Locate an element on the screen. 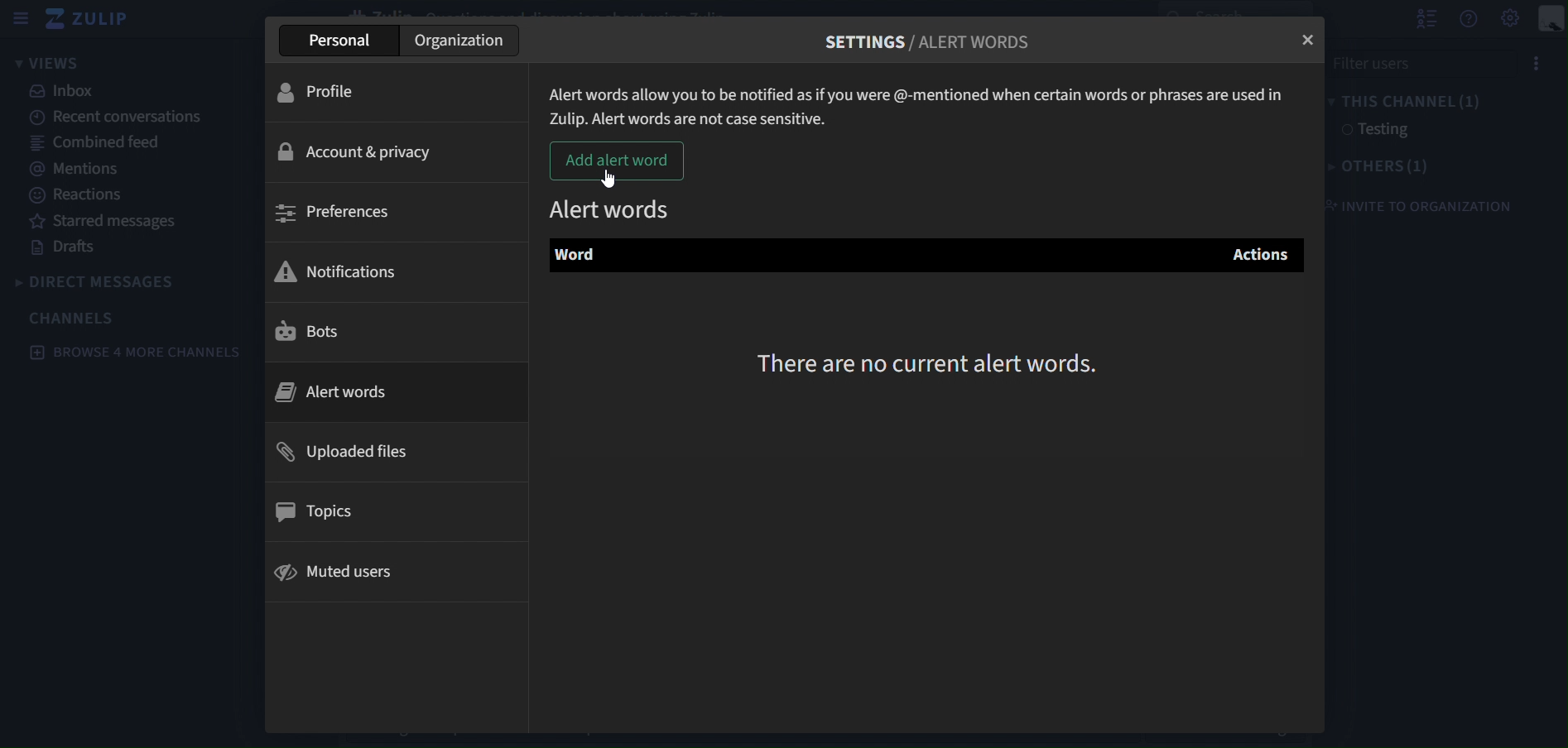 The height and width of the screenshot is (748, 1568). alert words is located at coordinates (613, 206).